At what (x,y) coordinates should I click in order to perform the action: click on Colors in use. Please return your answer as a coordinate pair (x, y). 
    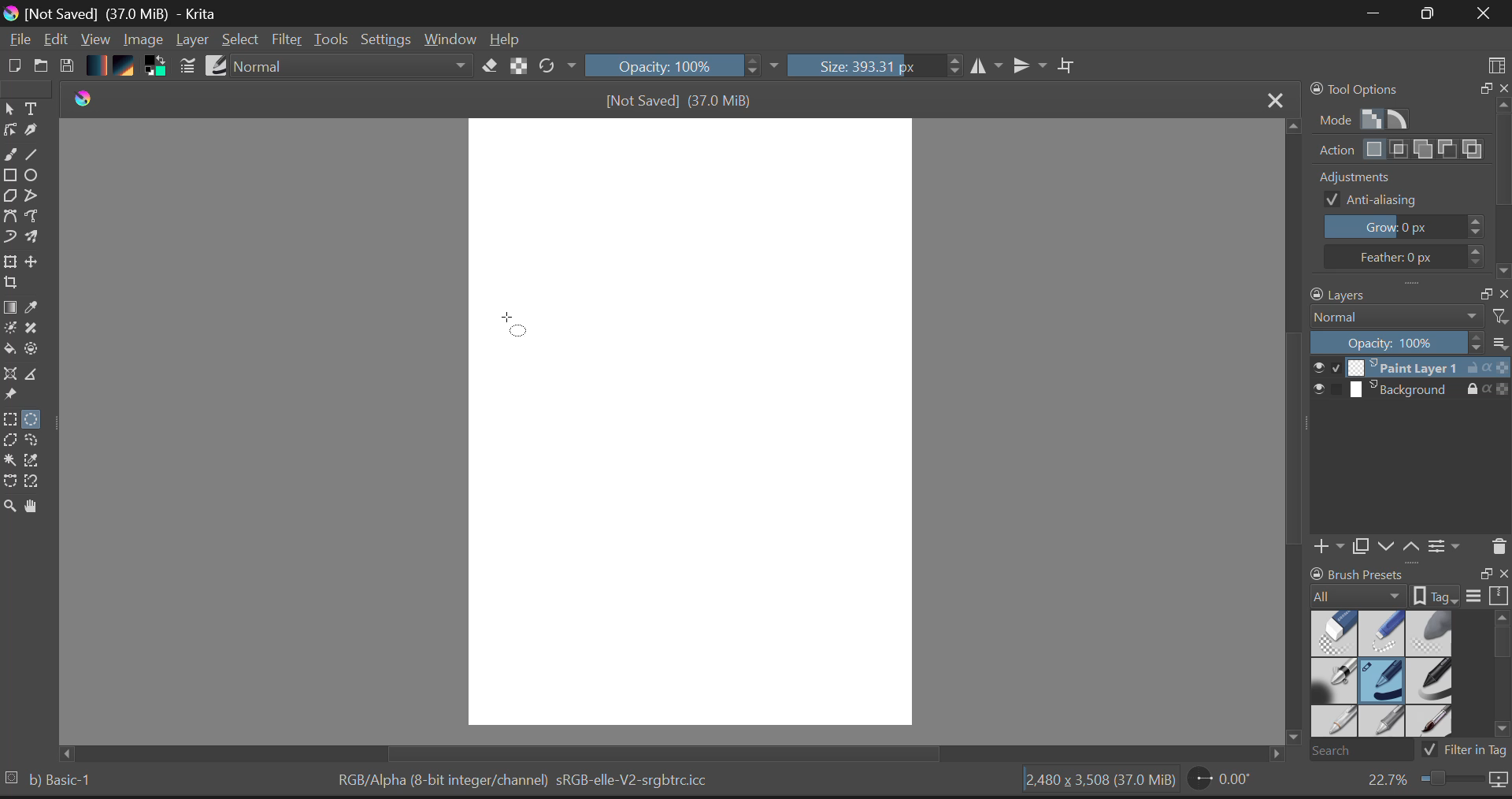
    Looking at the image, I should click on (155, 67).